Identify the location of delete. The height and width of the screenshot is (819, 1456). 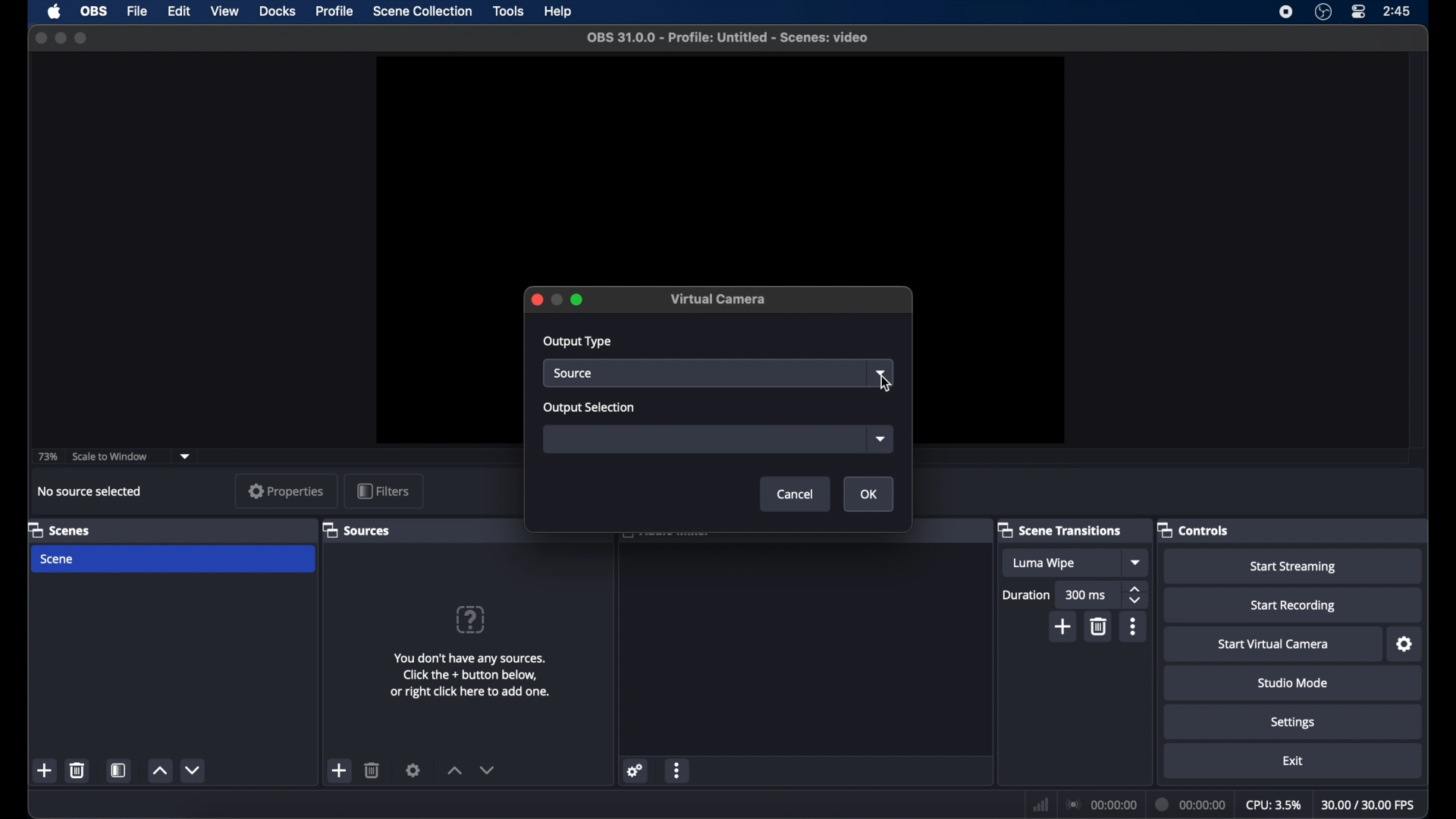
(372, 769).